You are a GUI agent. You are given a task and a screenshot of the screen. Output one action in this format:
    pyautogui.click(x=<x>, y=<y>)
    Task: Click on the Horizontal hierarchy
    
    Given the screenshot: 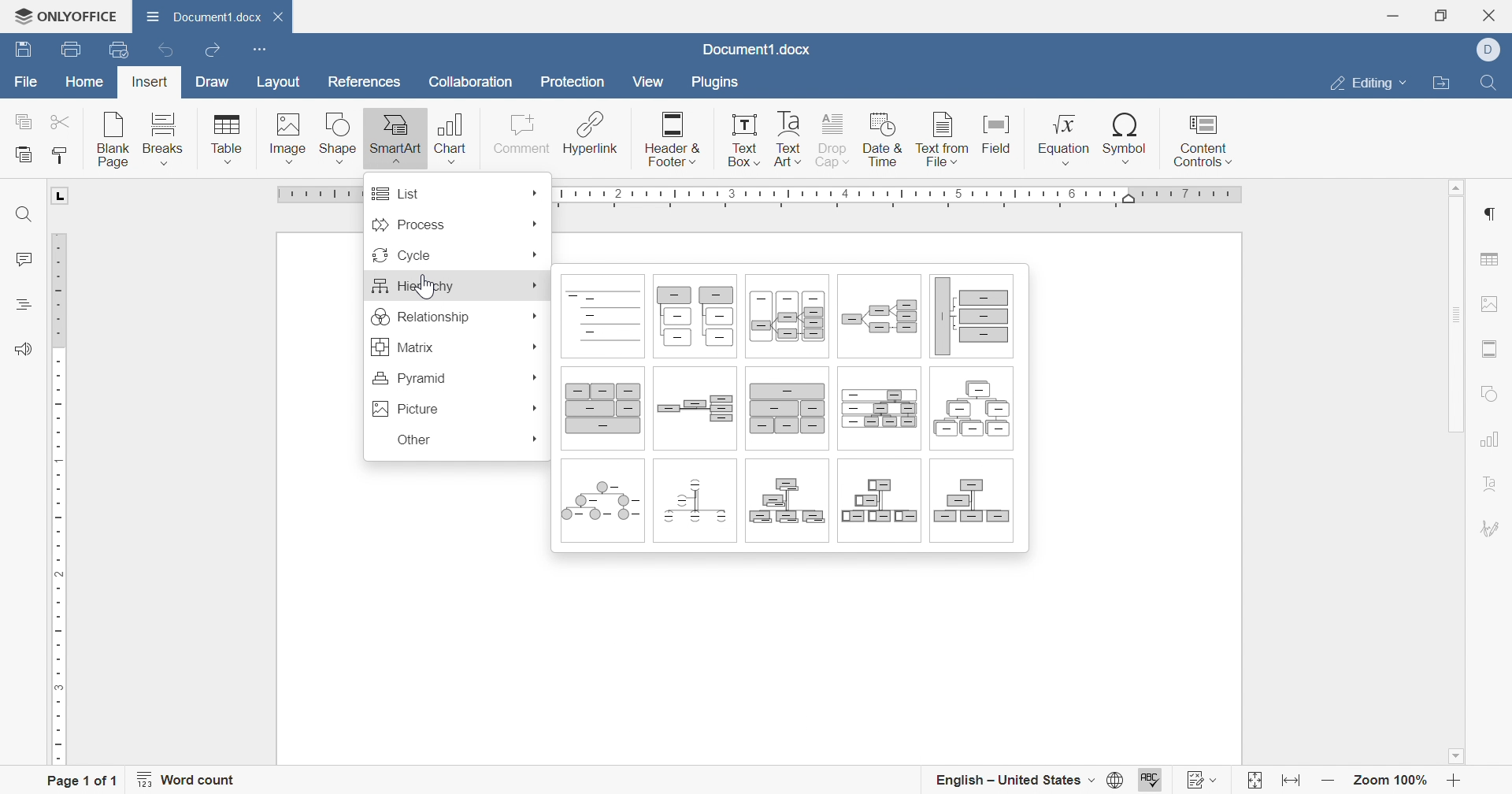 What is the action you would take?
    pyautogui.click(x=883, y=319)
    